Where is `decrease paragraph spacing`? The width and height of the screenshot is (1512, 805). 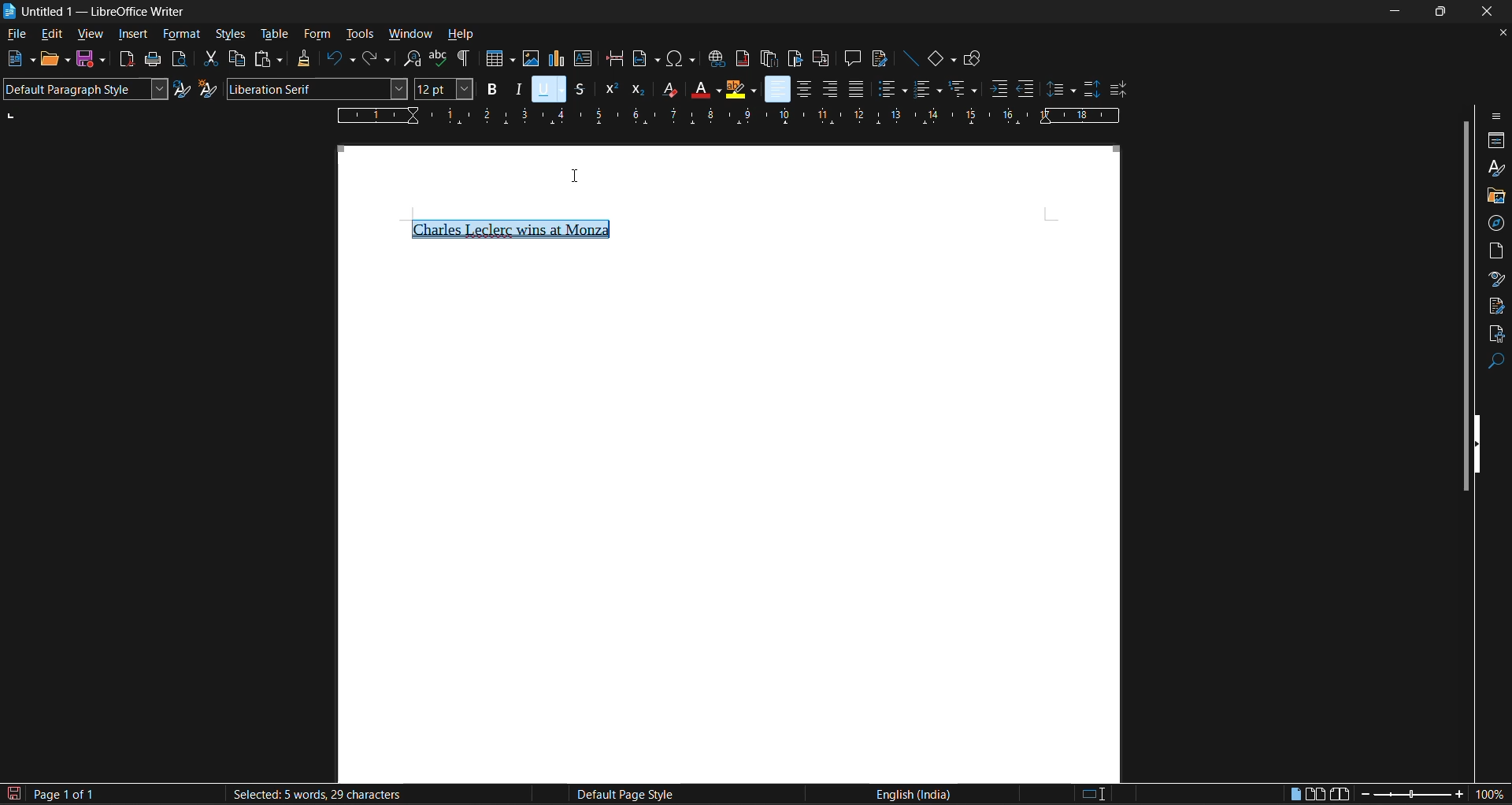
decrease paragraph spacing is located at coordinates (1118, 91).